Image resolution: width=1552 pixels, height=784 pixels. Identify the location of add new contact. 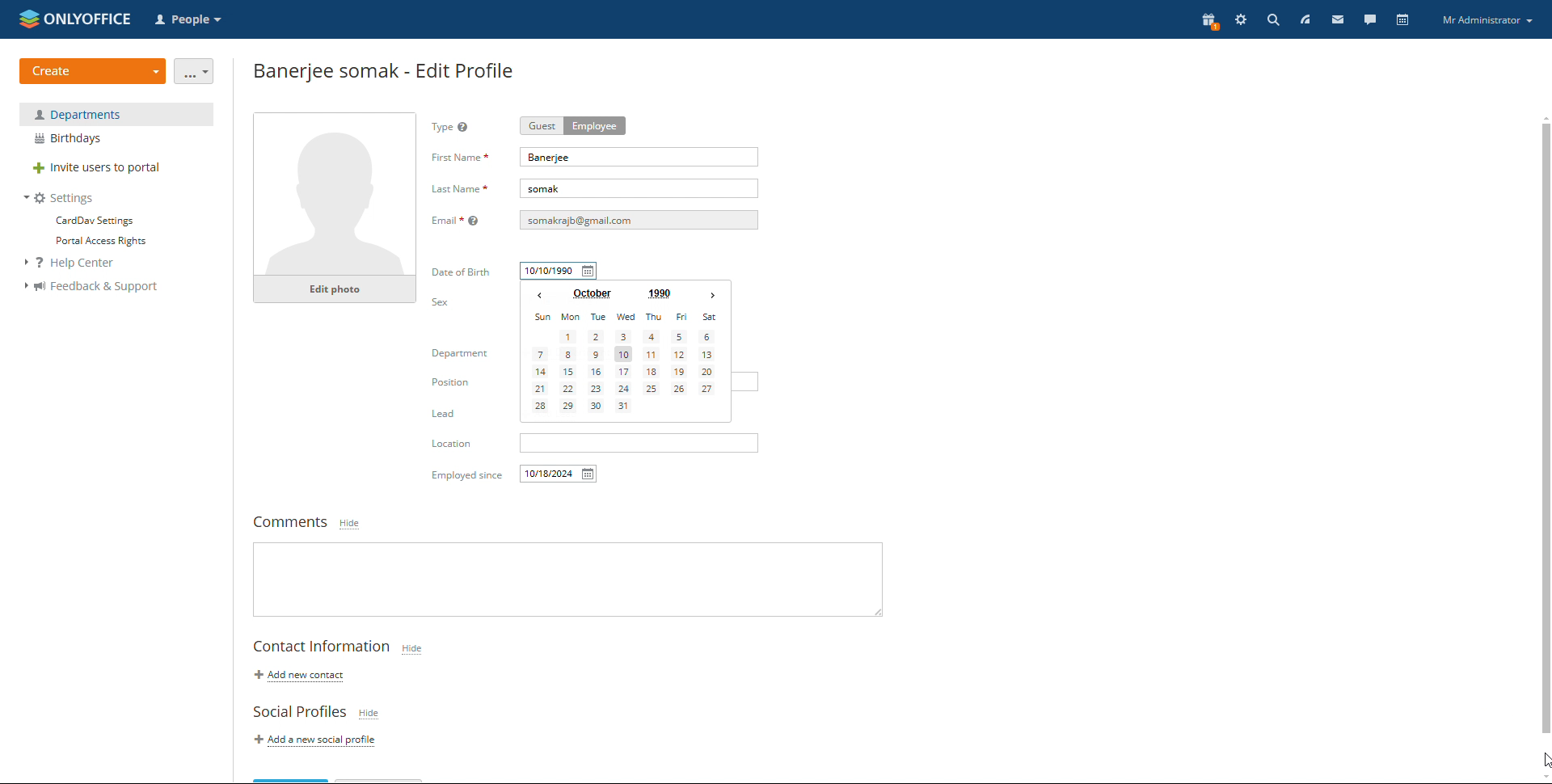
(297, 676).